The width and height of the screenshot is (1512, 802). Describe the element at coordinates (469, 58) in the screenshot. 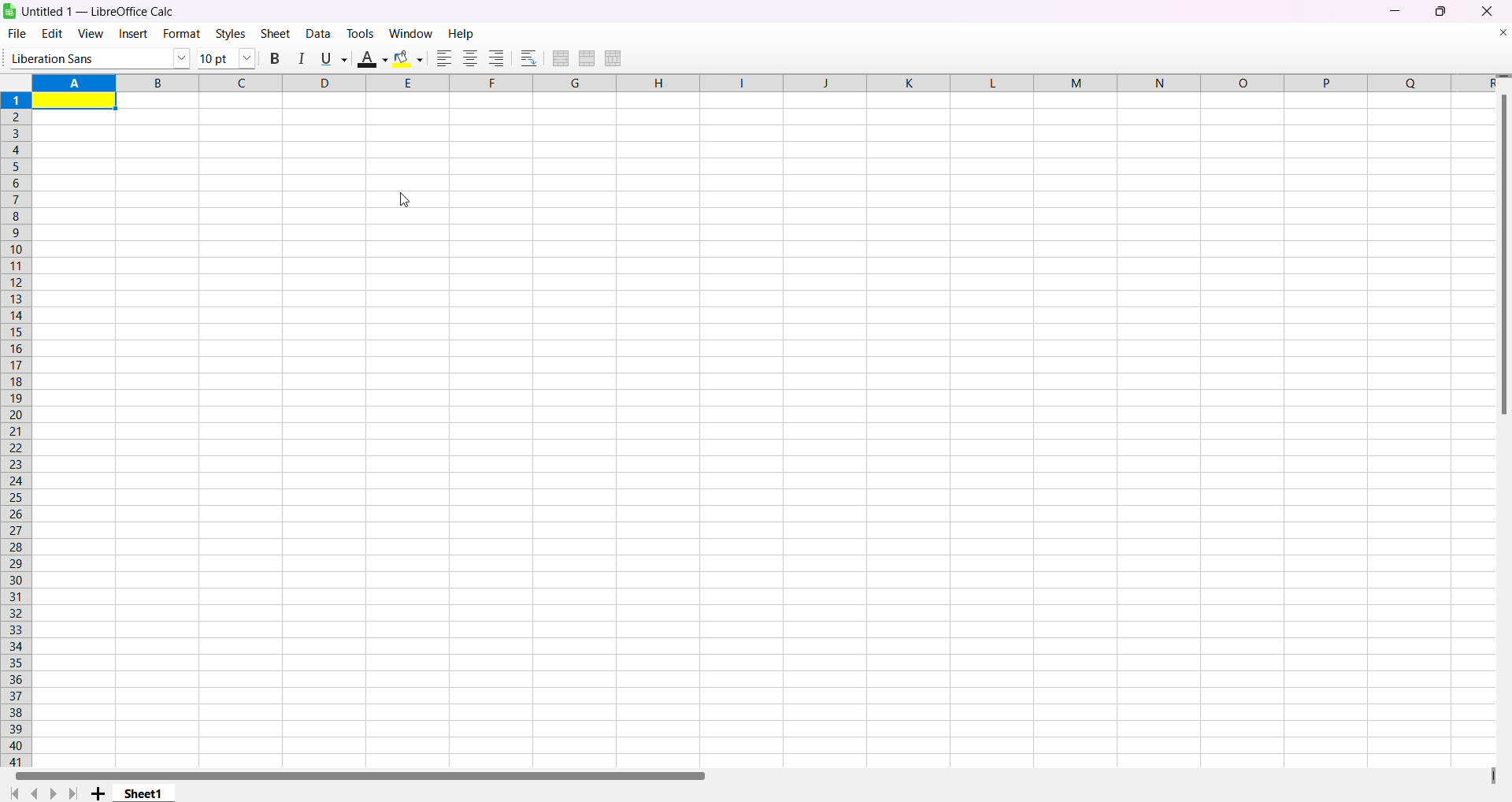

I see `center aligned` at that location.